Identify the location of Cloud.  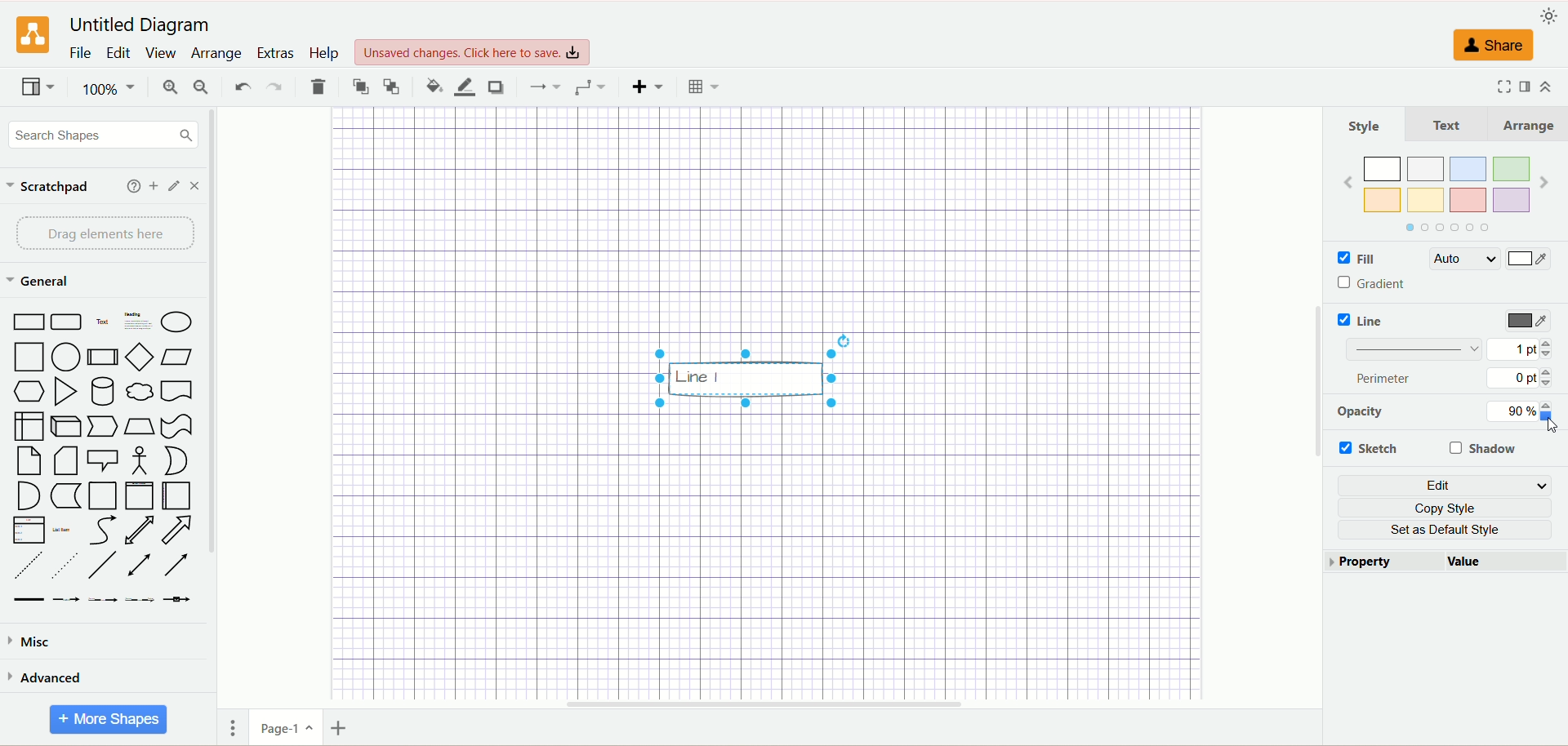
(140, 389).